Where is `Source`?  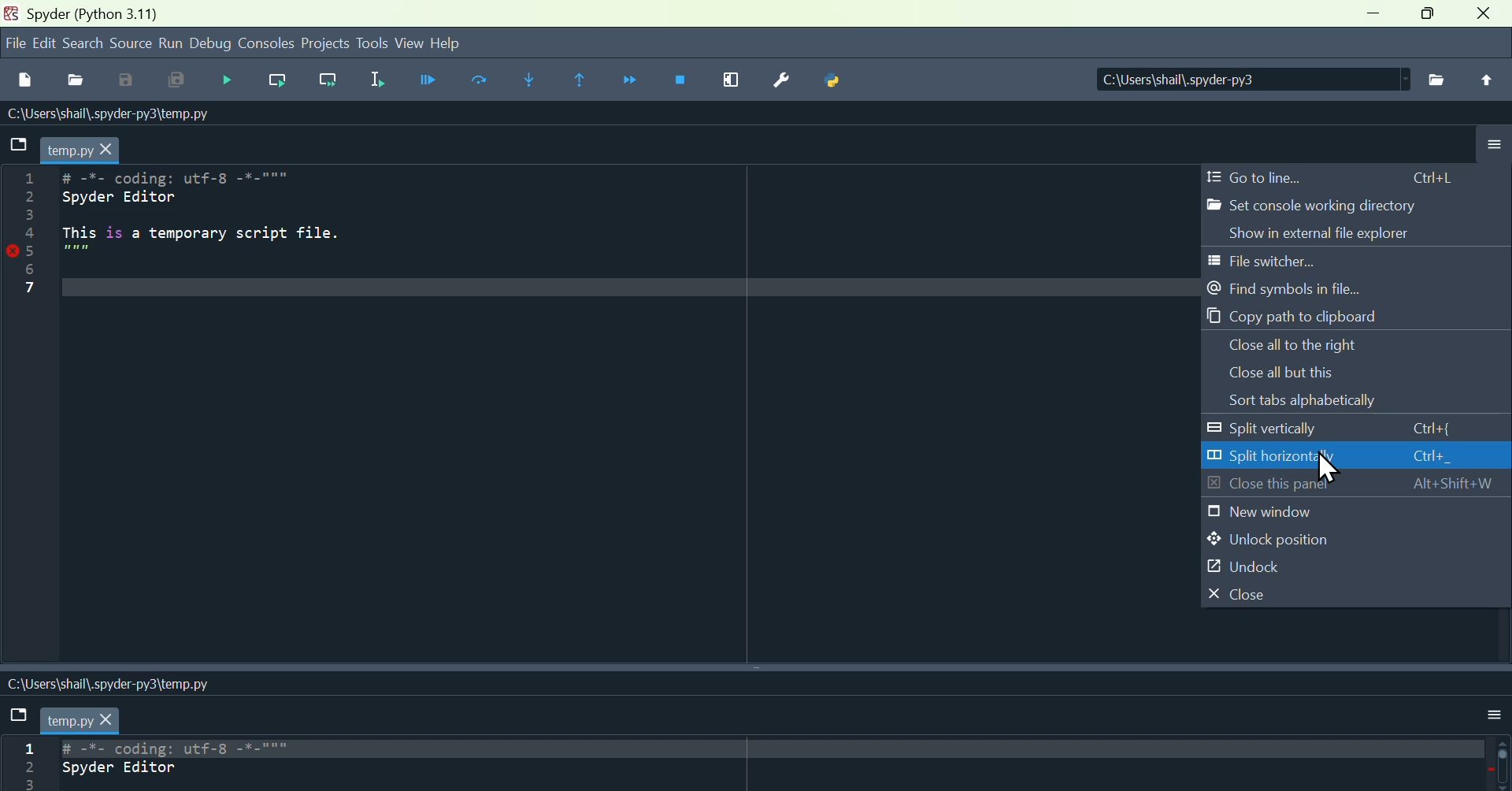 Source is located at coordinates (132, 47).